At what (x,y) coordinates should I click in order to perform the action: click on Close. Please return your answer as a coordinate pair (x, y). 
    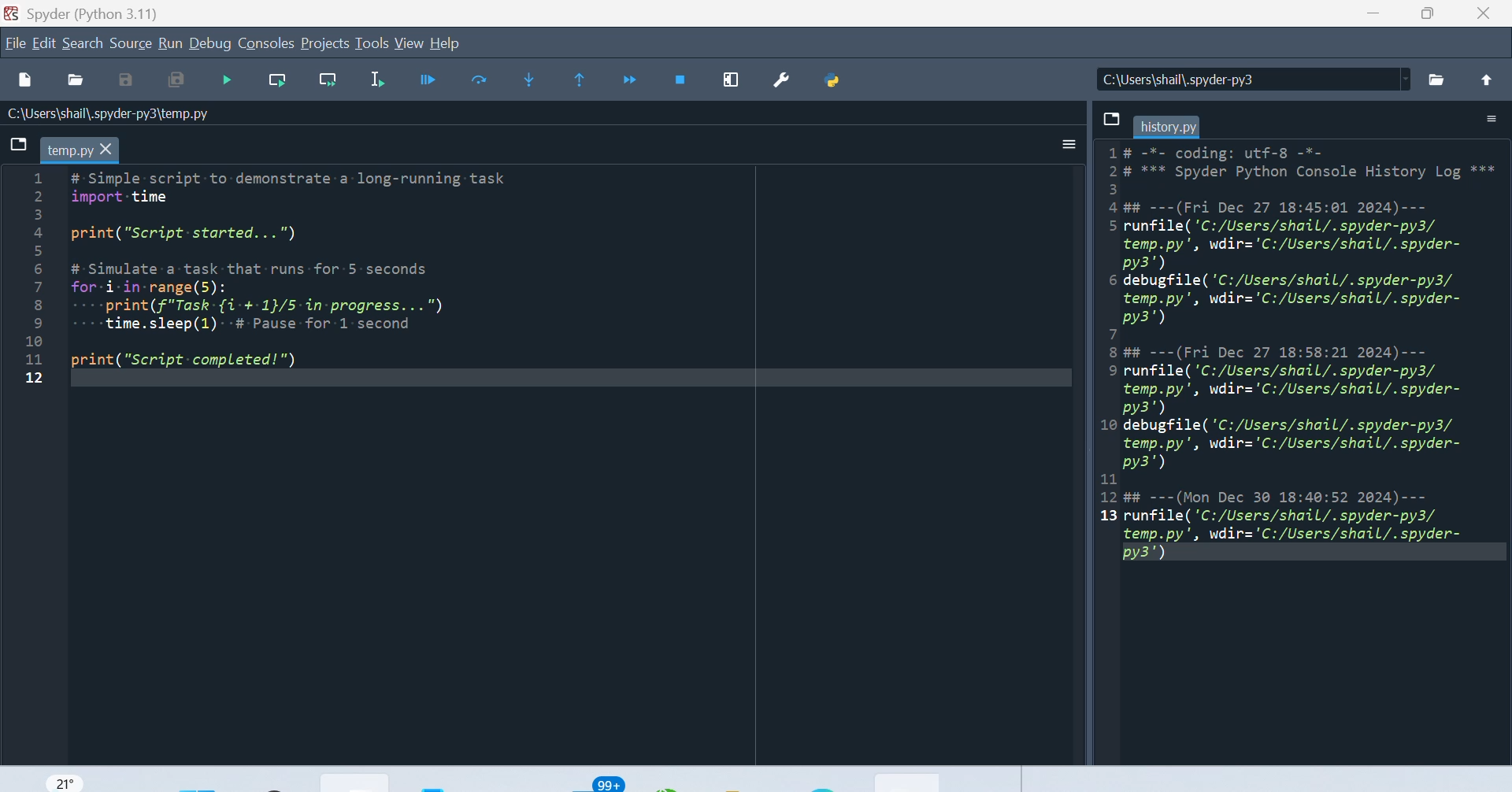
    Looking at the image, I should click on (1487, 17).